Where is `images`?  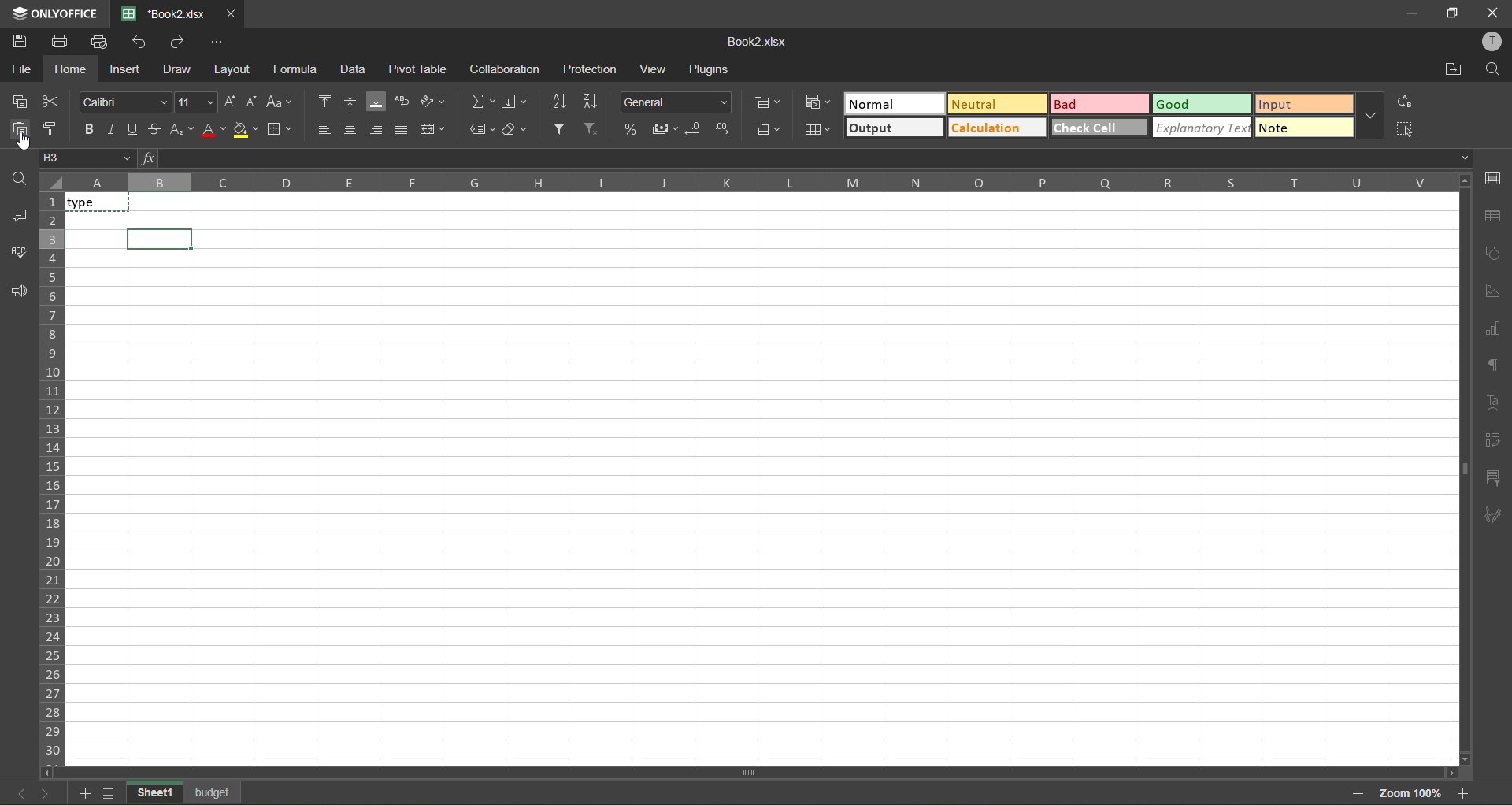
images is located at coordinates (1492, 292).